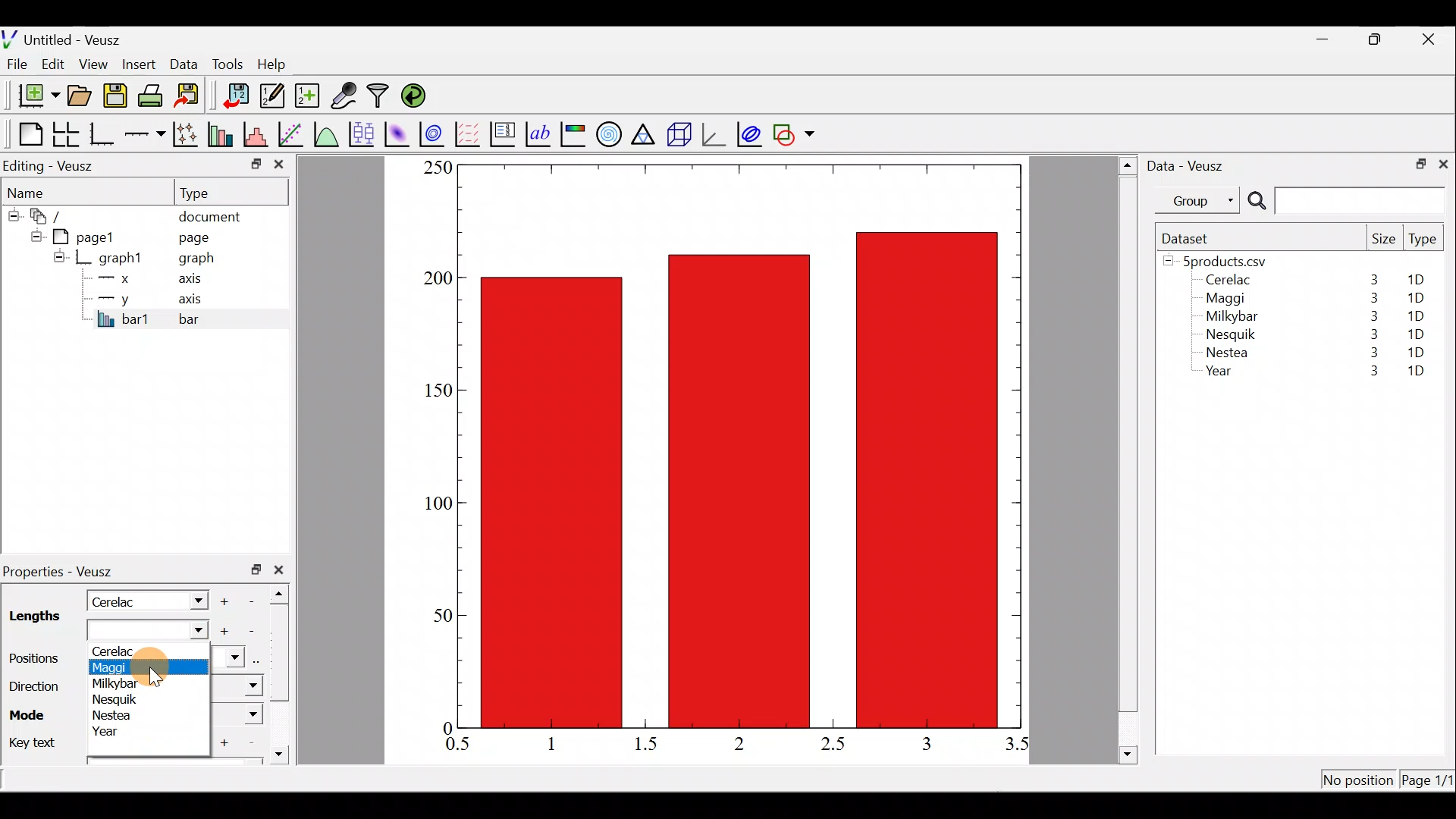  Describe the element at coordinates (1371, 316) in the screenshot. I see `3` at that location.